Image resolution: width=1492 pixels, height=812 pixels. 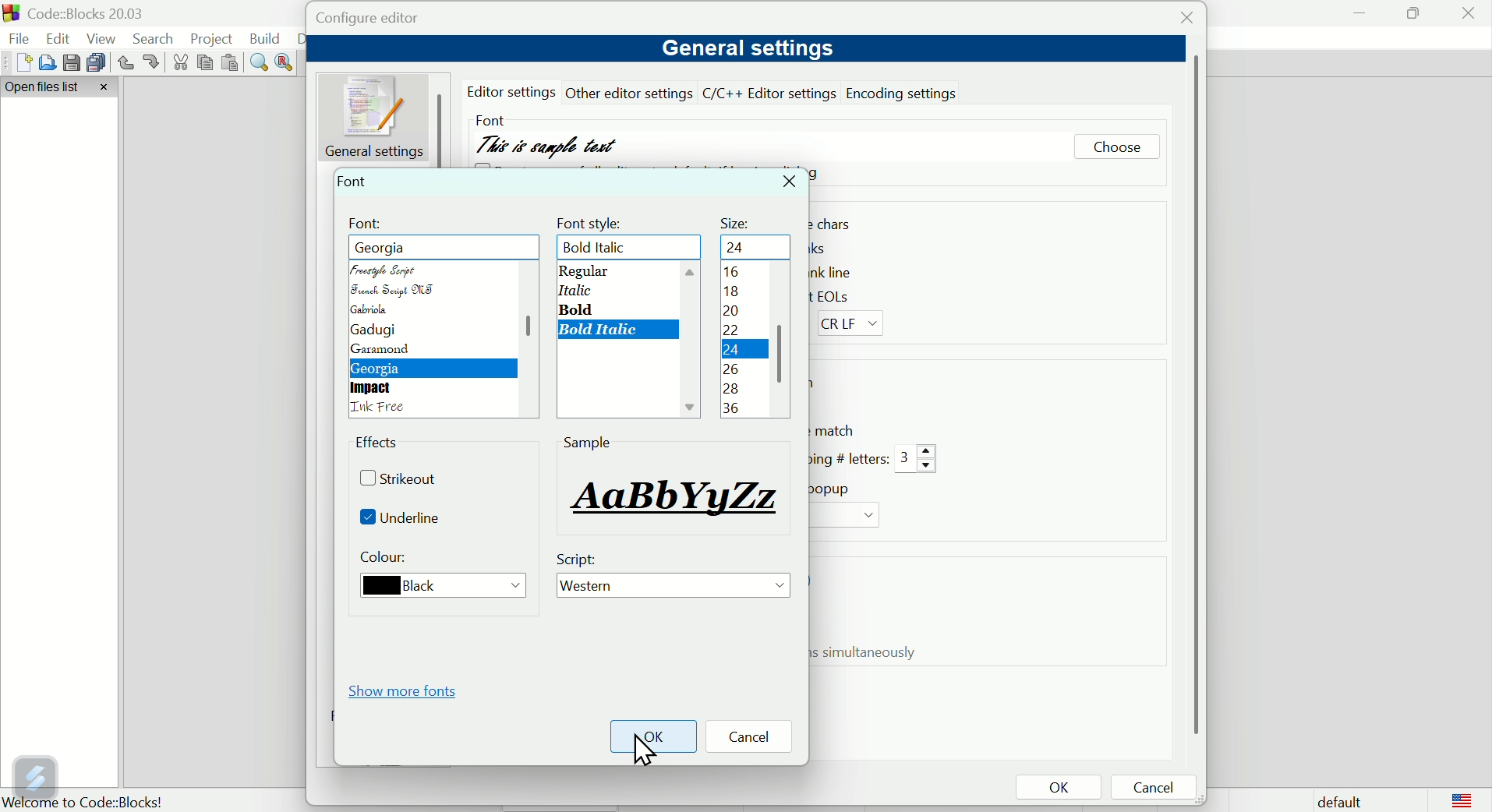 I want to click on Georgia, so click(x=380, y=369).